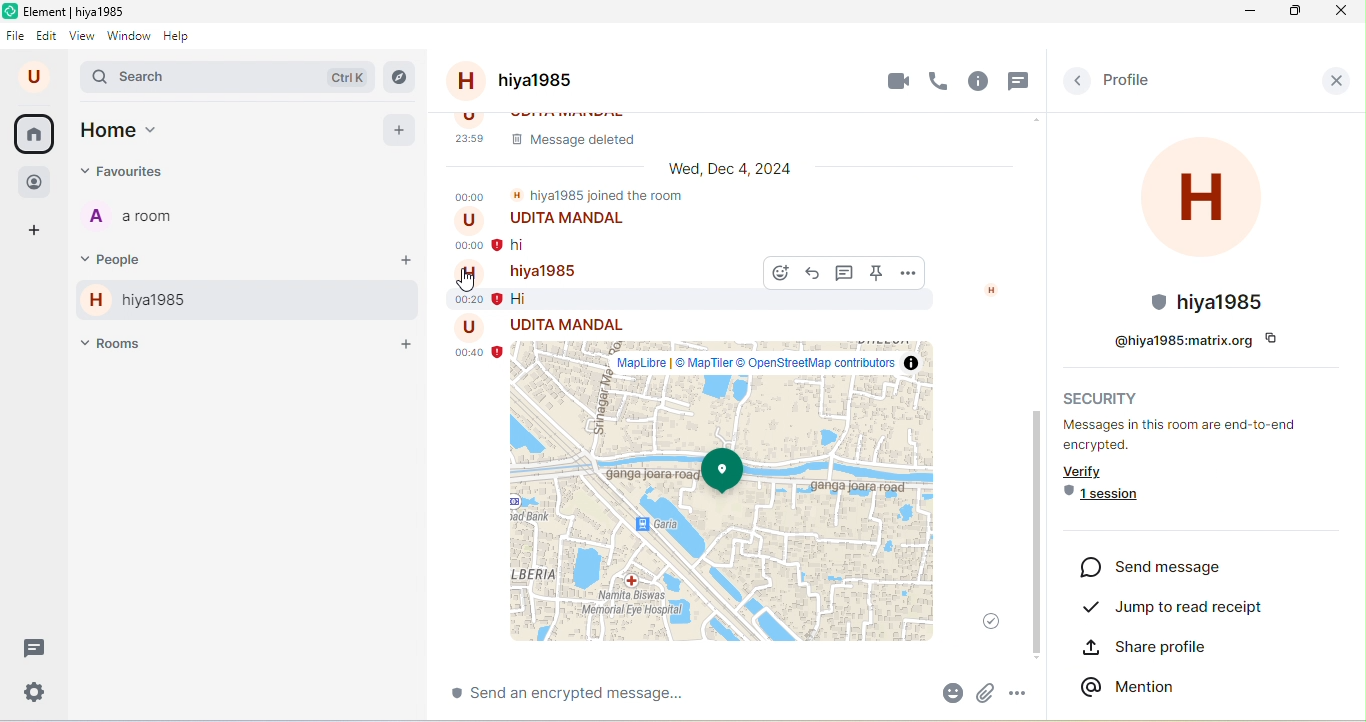 This screenshot has width=1366, height=722. Describe the element at coordinates (908, 273) in the screenshot. I see `options` at that location.